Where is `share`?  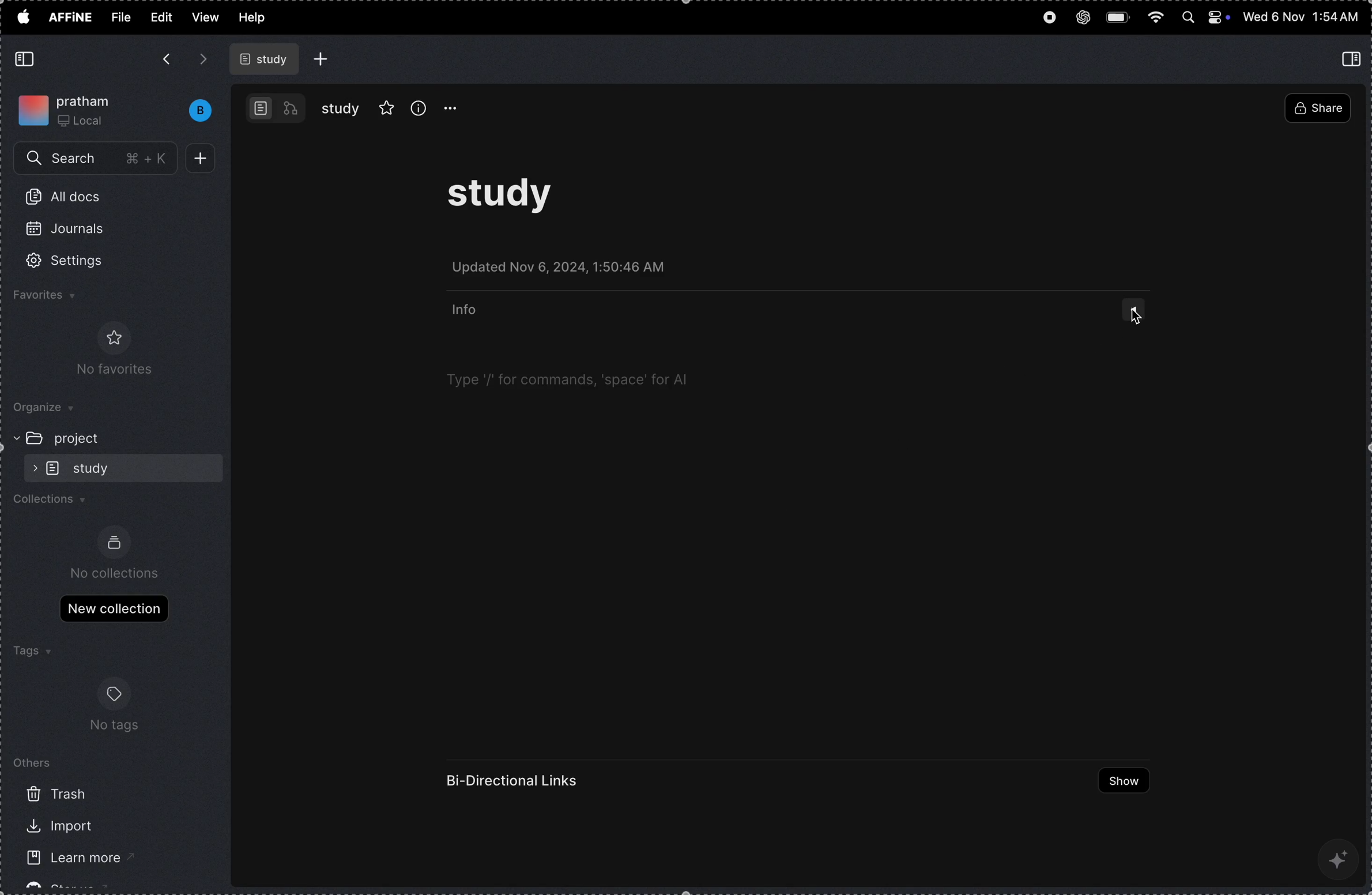 share is located at coordinates (1317, 110).